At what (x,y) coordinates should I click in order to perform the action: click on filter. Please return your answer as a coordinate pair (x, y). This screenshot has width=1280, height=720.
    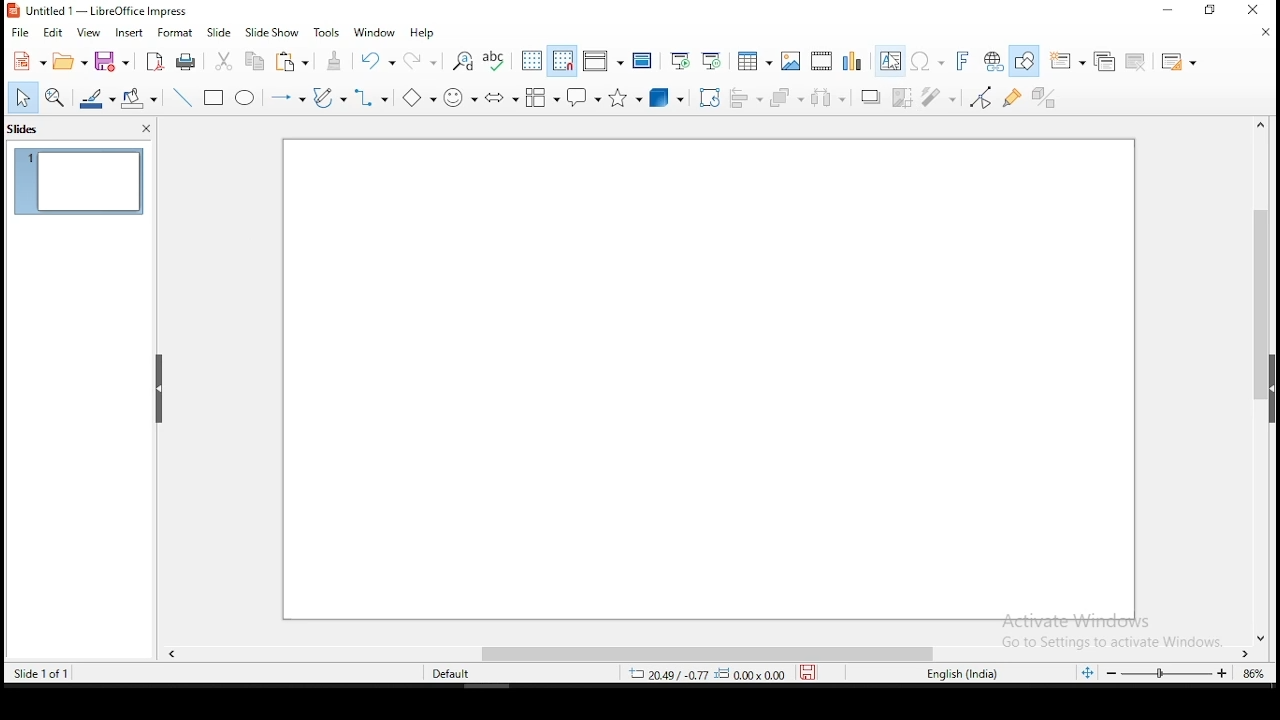
    Looking at the image, I should click on (940, 99).